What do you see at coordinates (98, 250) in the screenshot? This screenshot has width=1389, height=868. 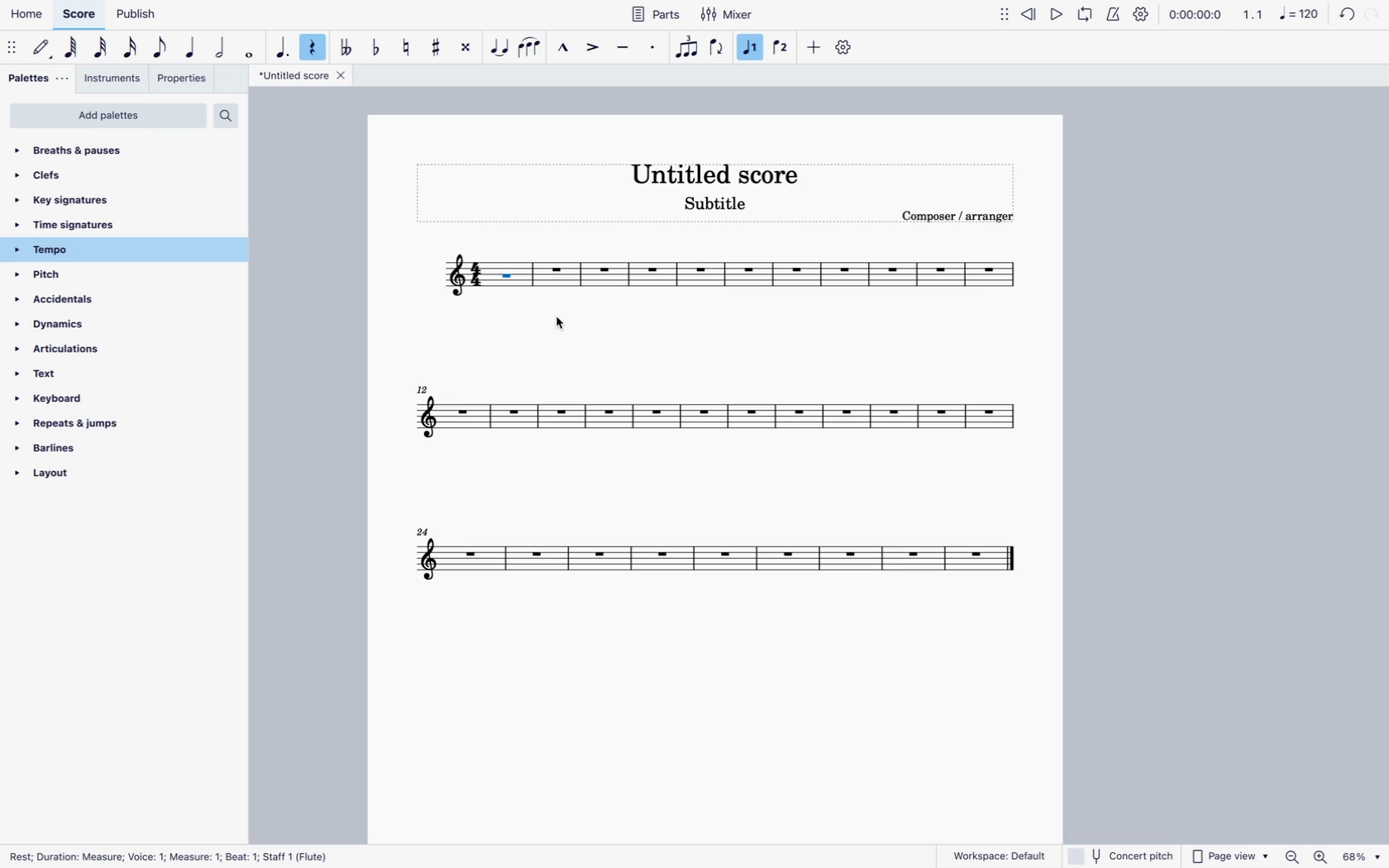 I see `tempo` at bounding box center [98, 250].